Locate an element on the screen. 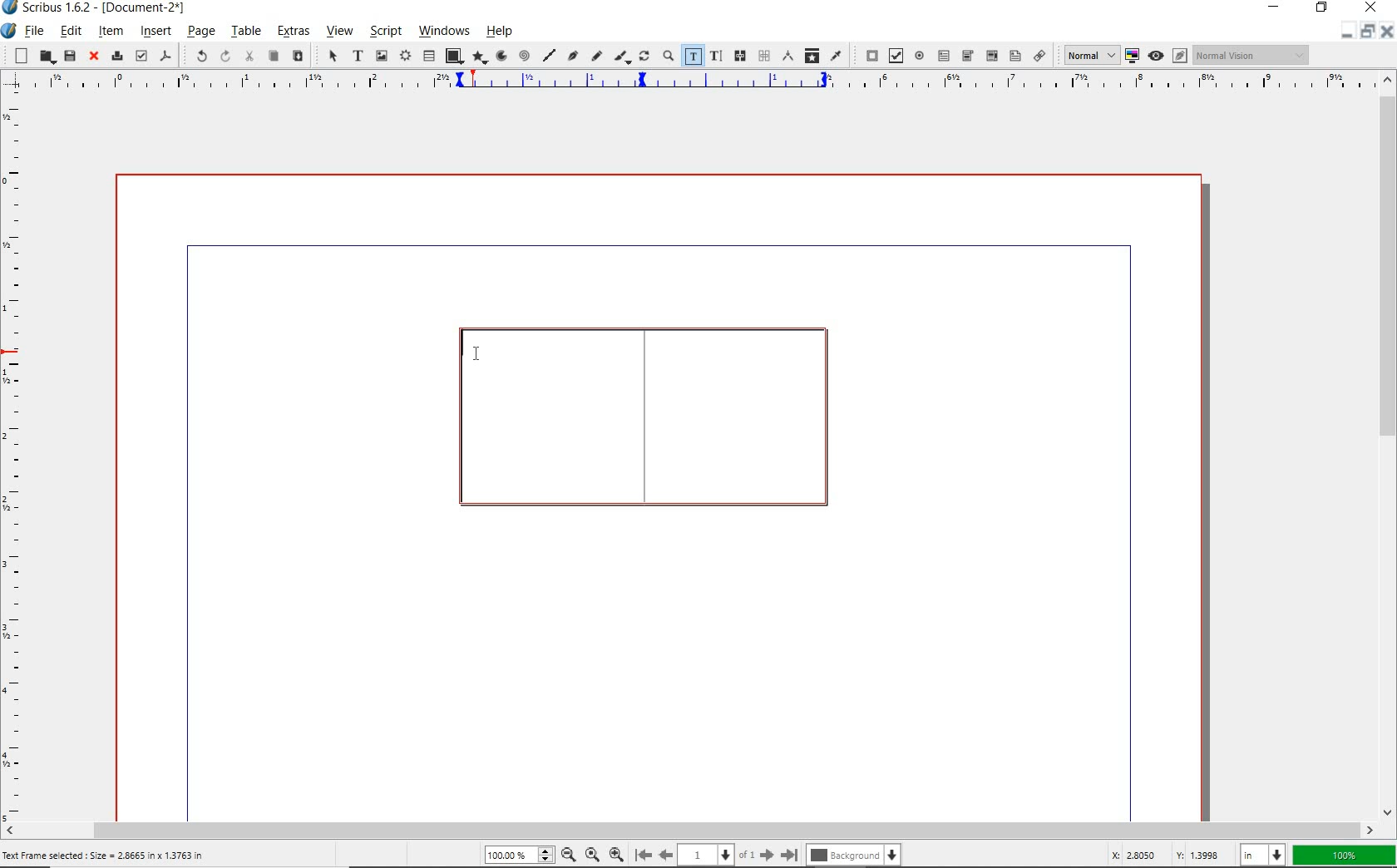 The height and width of the screenshot is (868, 1397). save as pdf is located at coordinates (165, 56).